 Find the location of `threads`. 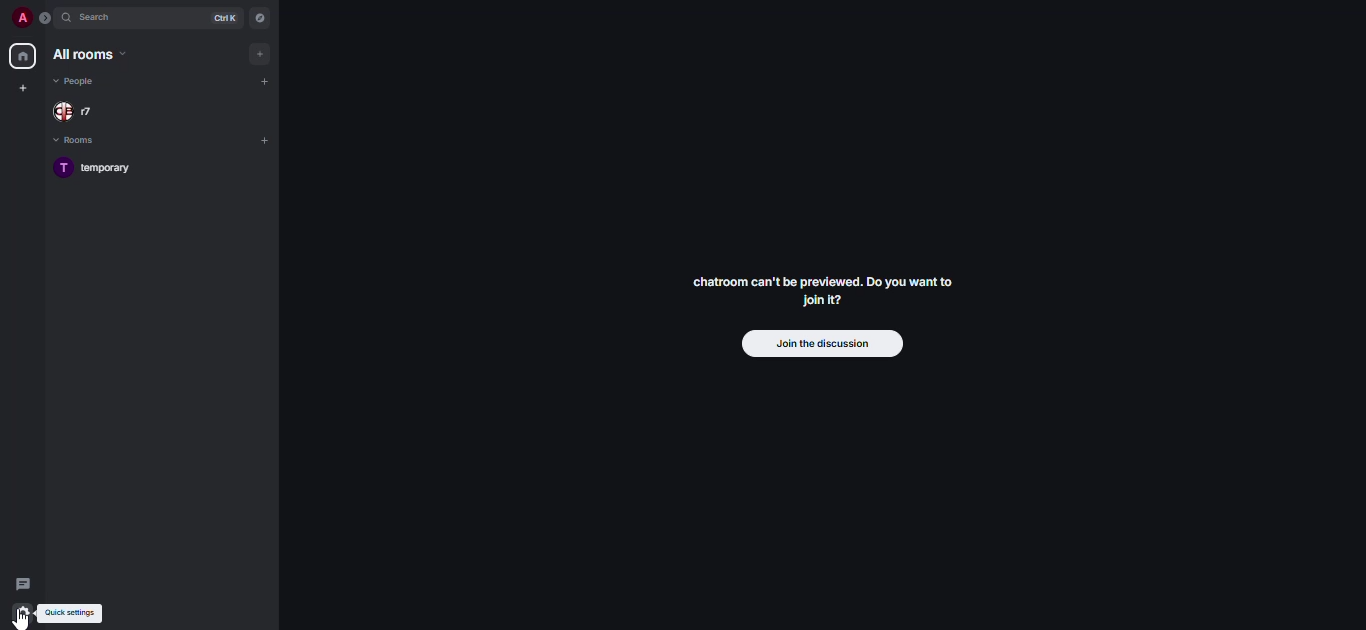

threads is located at coordinates (21, 583).